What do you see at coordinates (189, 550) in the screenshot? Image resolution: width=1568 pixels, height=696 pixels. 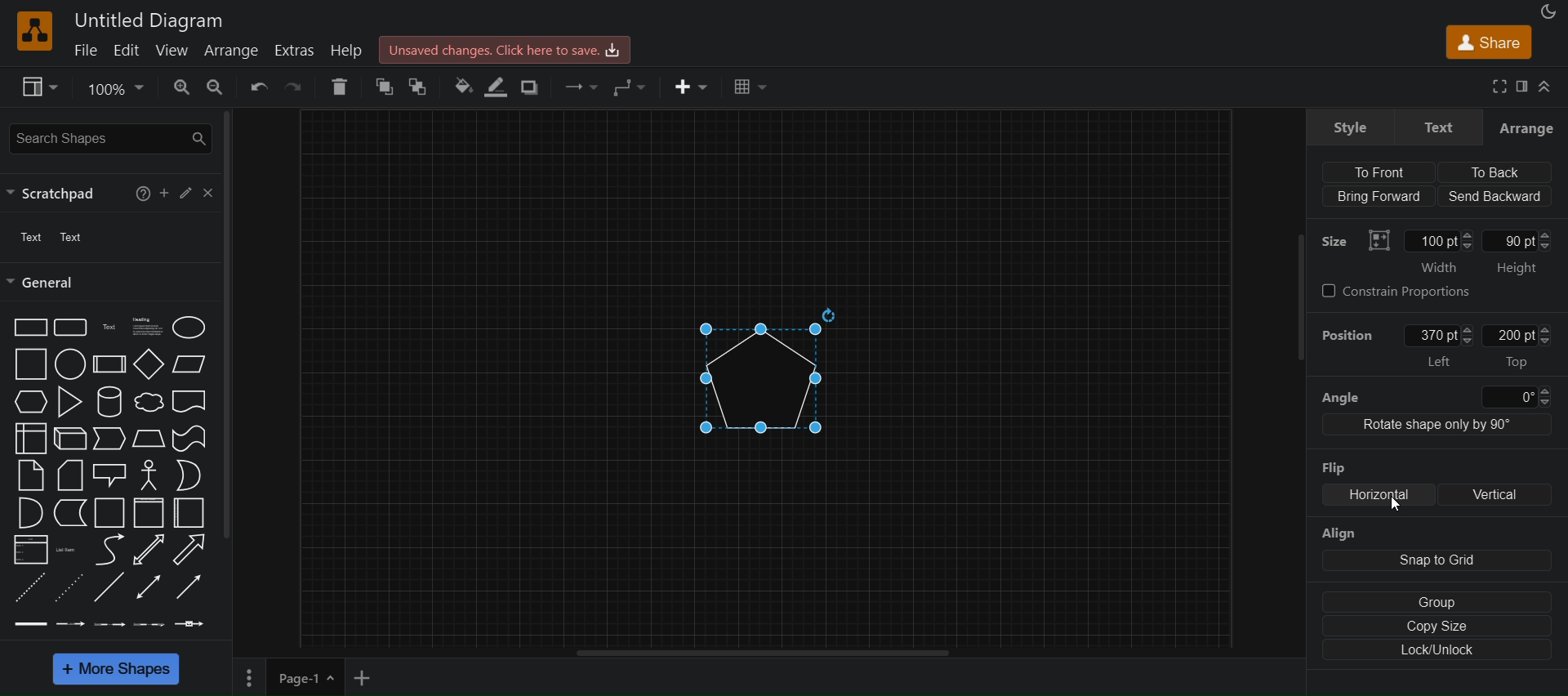 I see `Arrow` at bounding box center [189, 550].